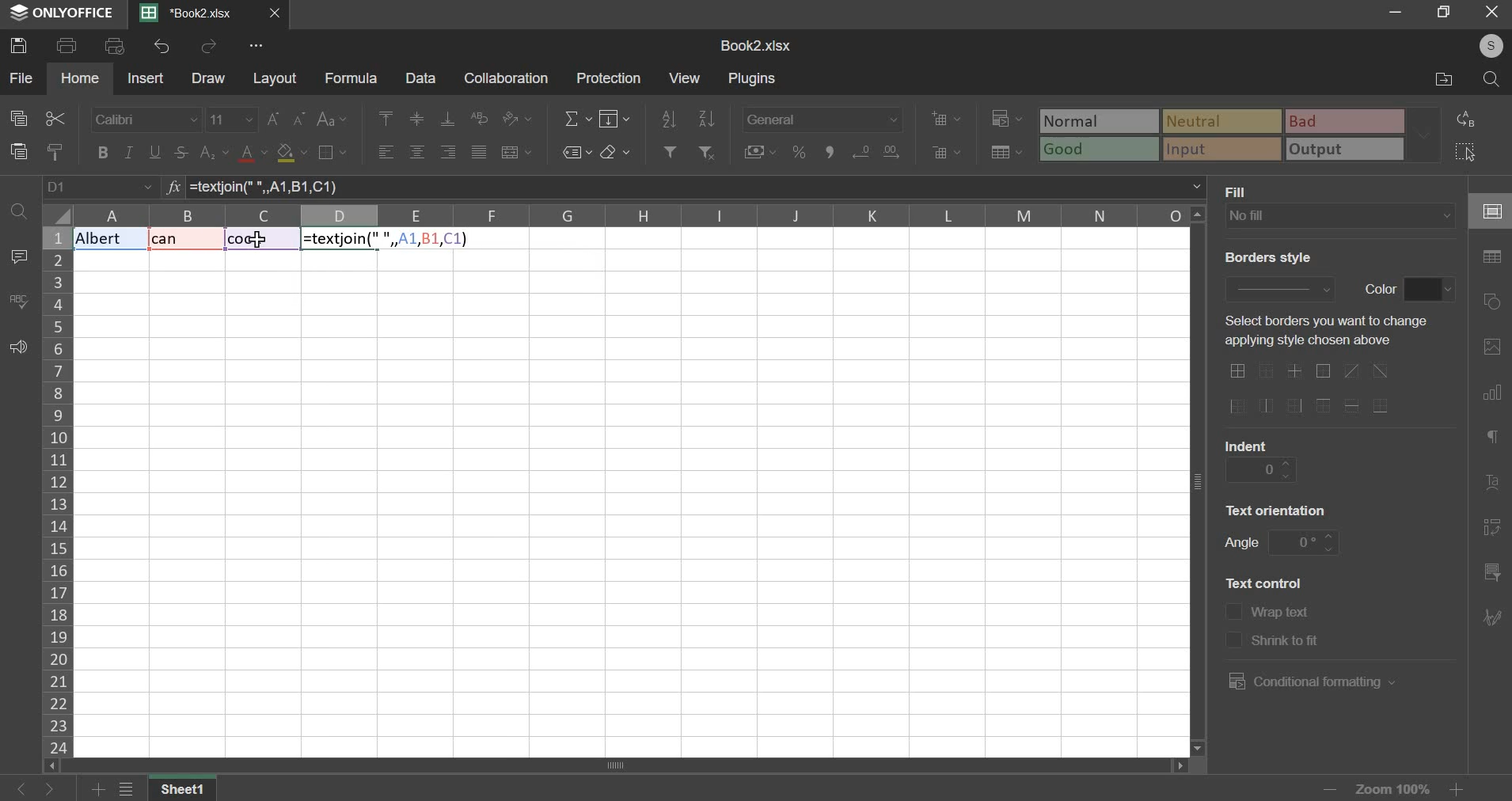 Image resolution: width=1512 pixels, height=801 pixels. What do you see at coordinates (194, 13) in the screenshot?
I see `Current sheets` at bounding box center [194, 13].